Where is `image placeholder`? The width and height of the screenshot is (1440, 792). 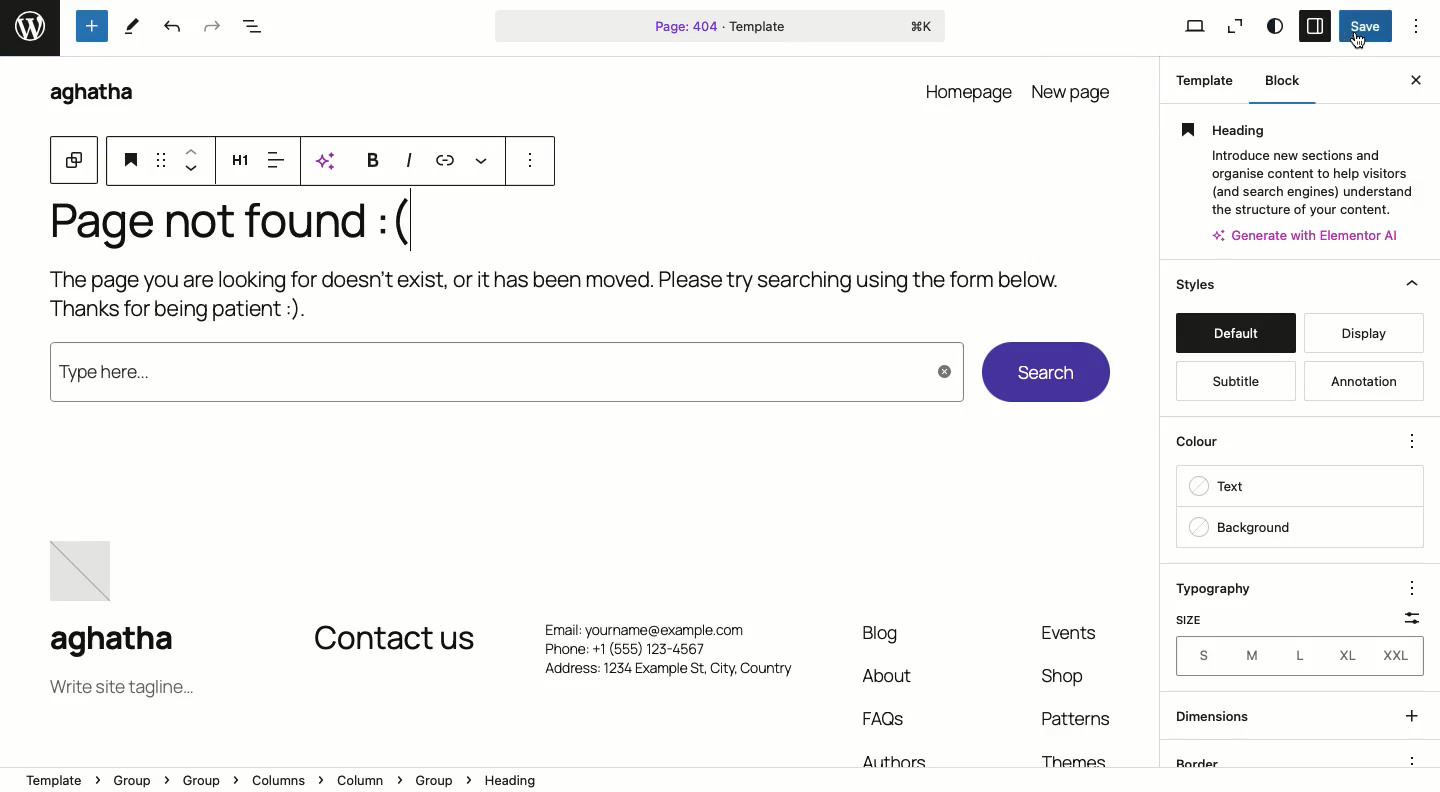
image placeholder is located at coordinates (86, 573).